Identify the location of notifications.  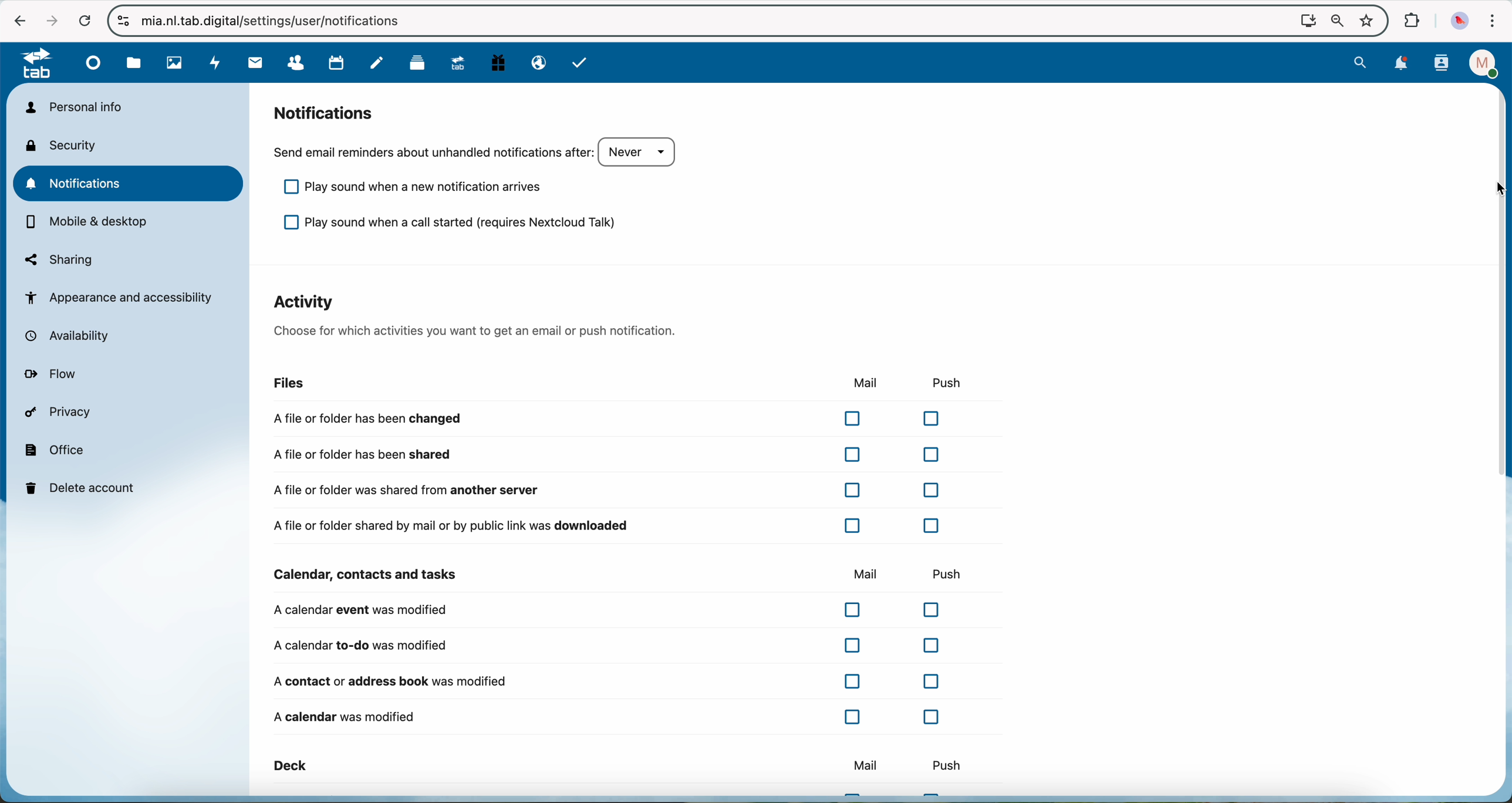
(130, 183).